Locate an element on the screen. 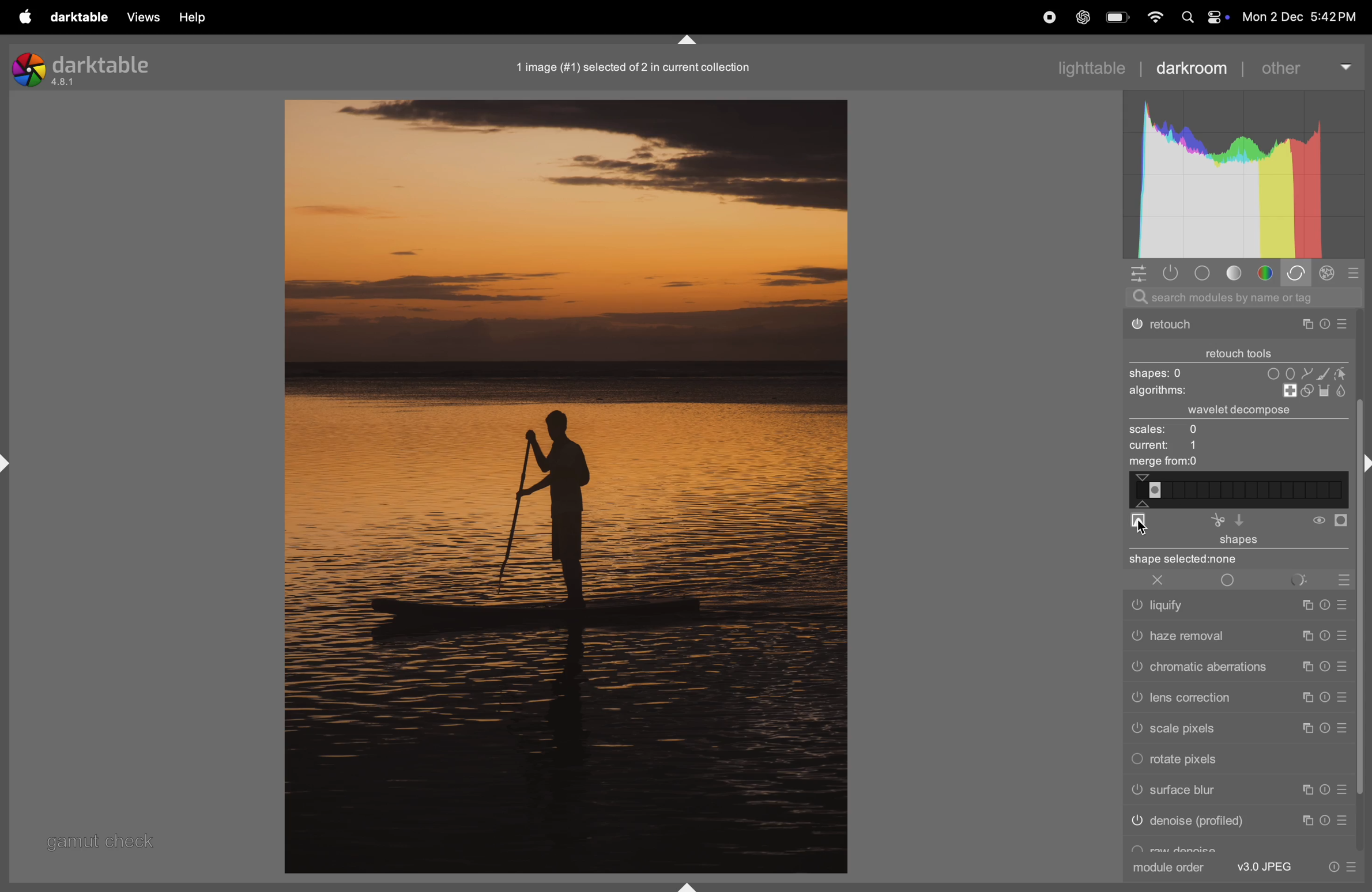  colors is located at coordinates (1268, 273).